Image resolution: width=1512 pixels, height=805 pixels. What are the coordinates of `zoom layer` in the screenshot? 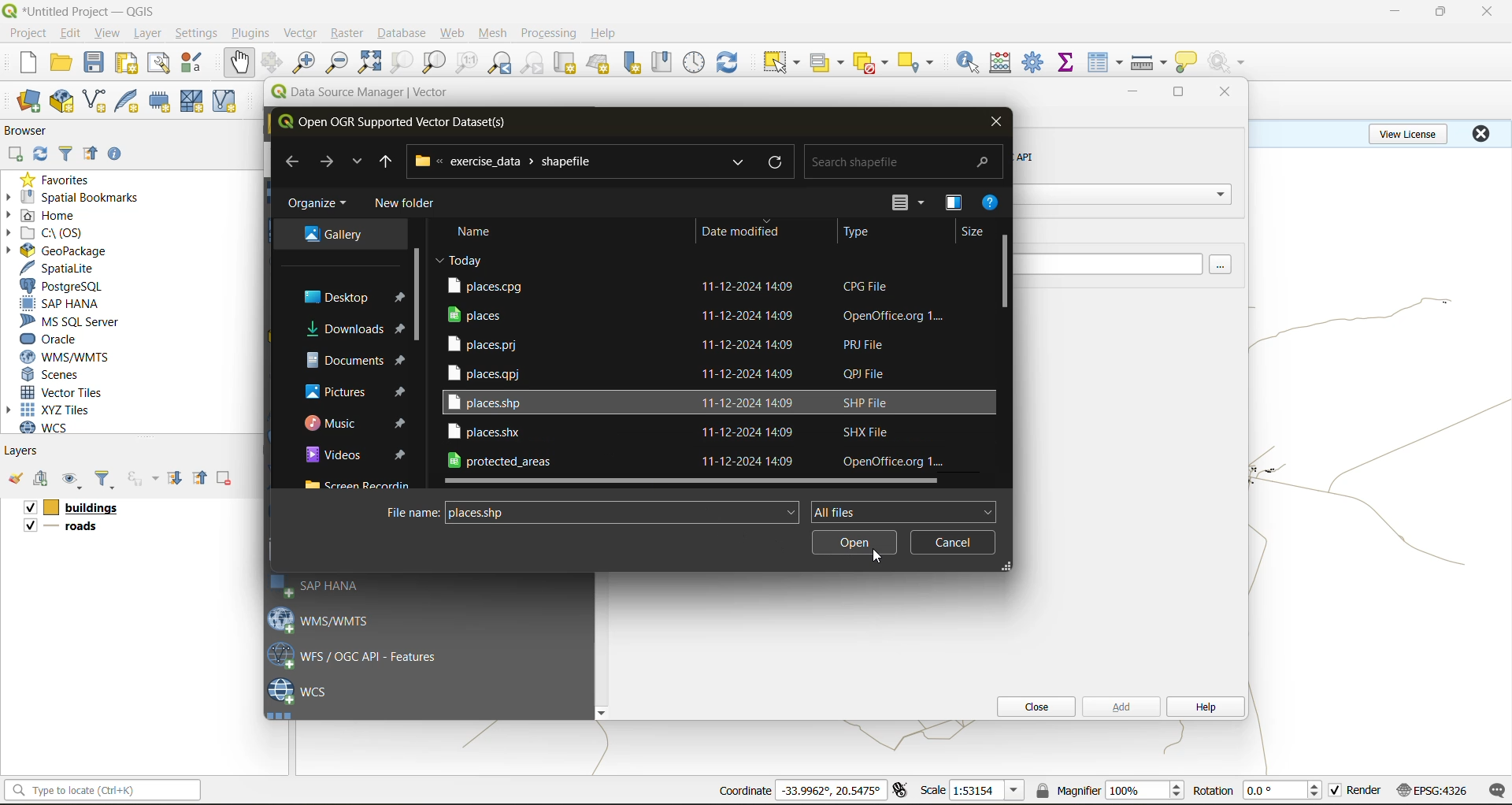 It's located at (435, 65).